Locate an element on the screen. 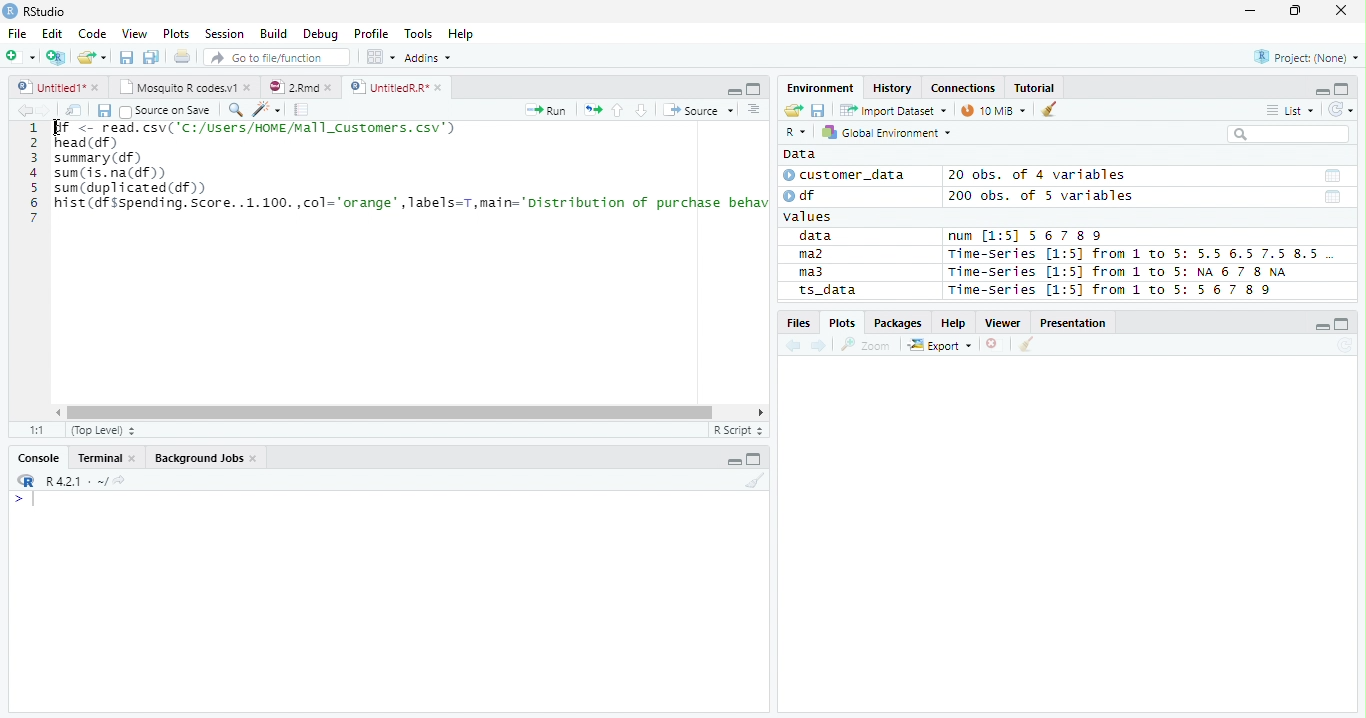 The image size is (1366, 718). Date is located at coordinates (1331, 176).